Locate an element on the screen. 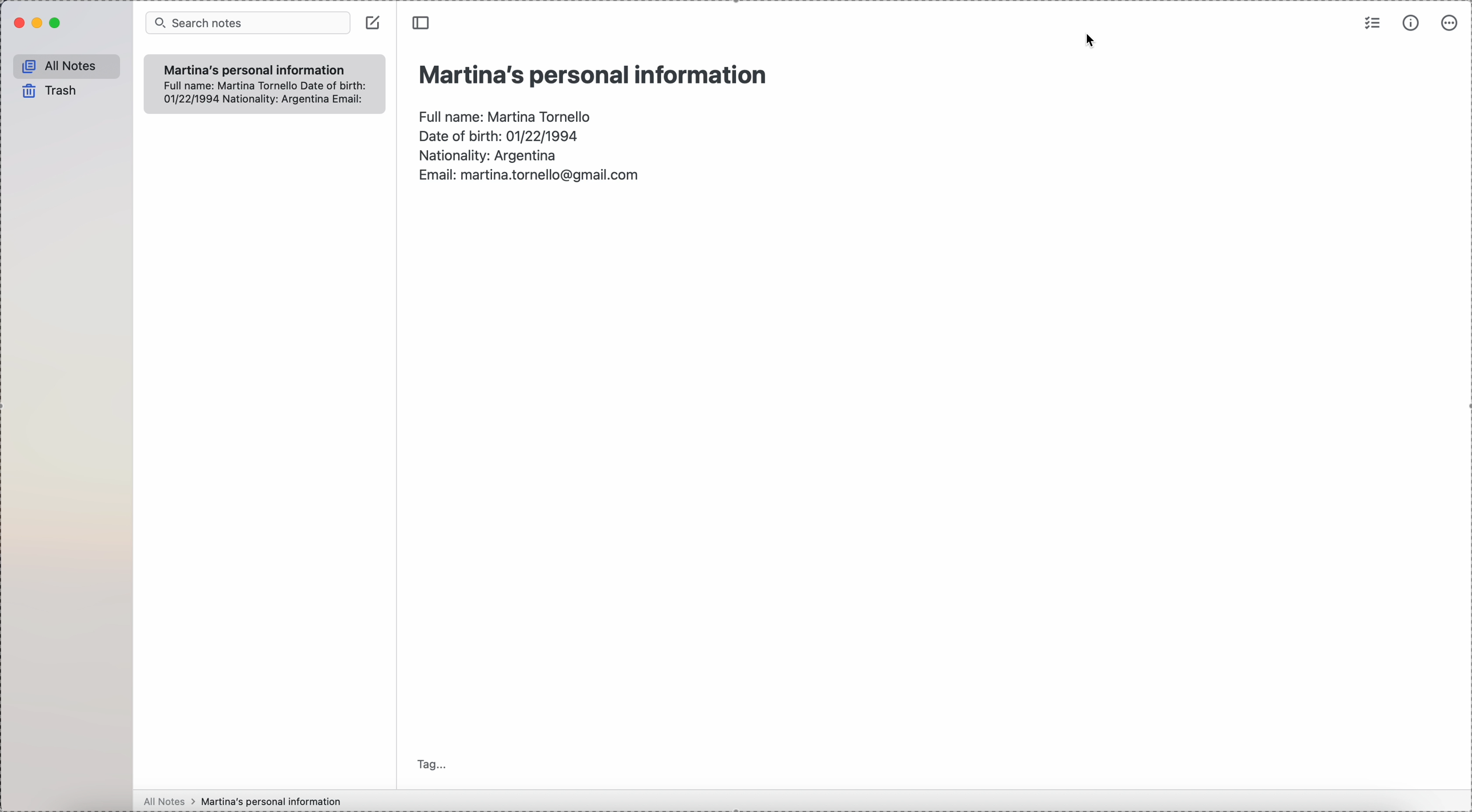 The image size is (1472, 812). email is located at coordinates (528, 177).